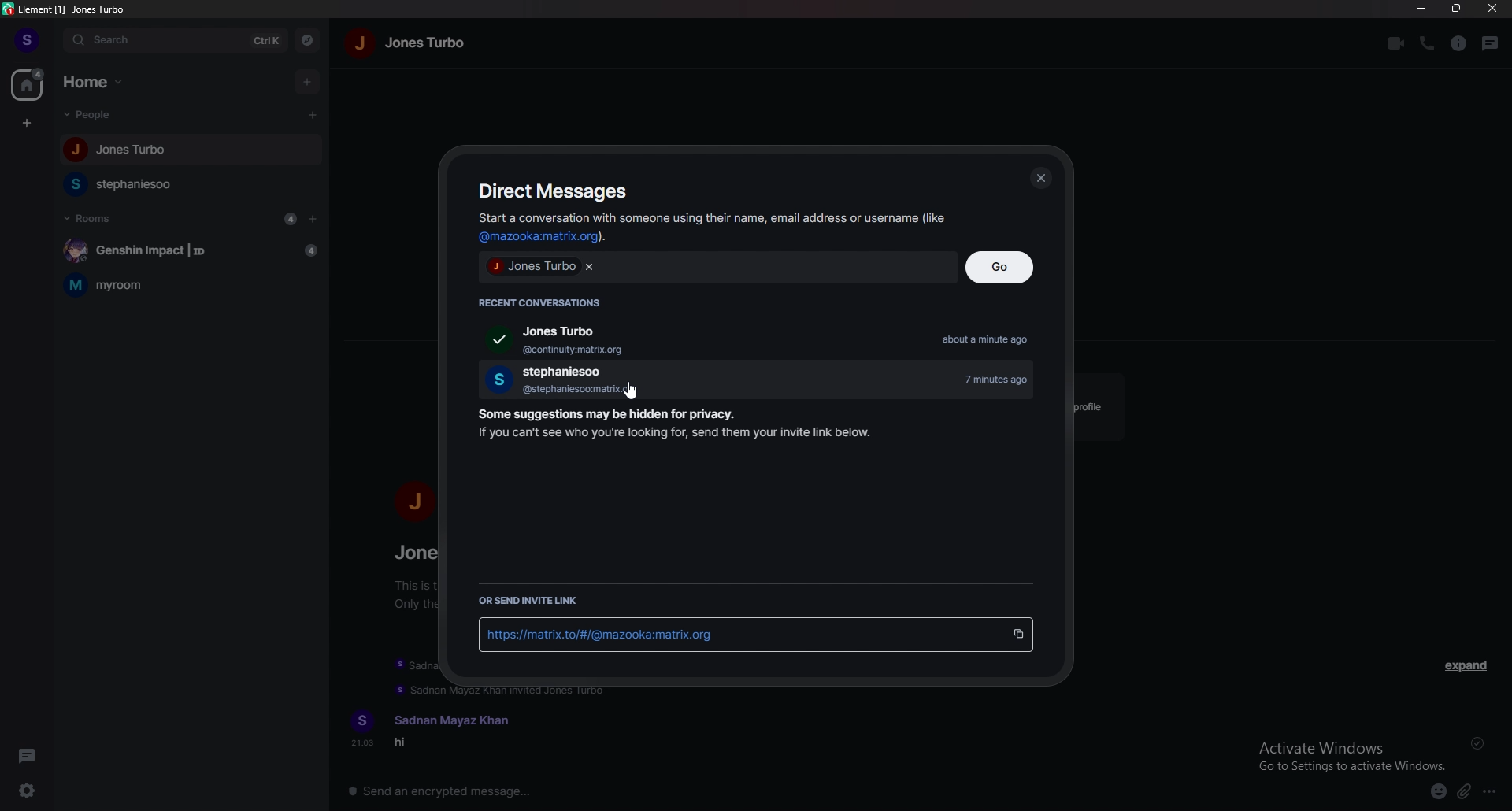  I want to click on create space, so click(28, 124).